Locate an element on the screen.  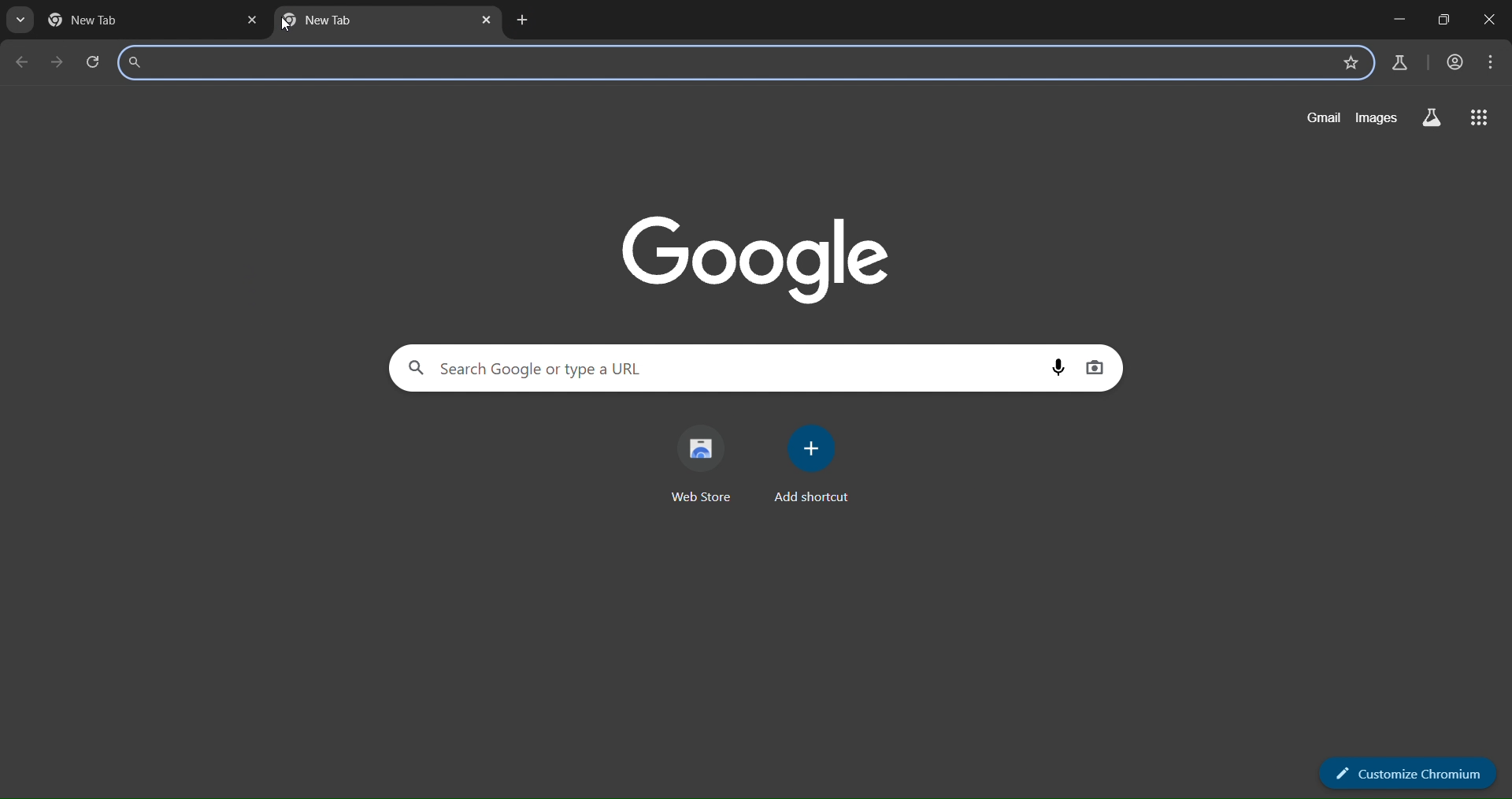
search labs is located at coordinates (1399, 63).